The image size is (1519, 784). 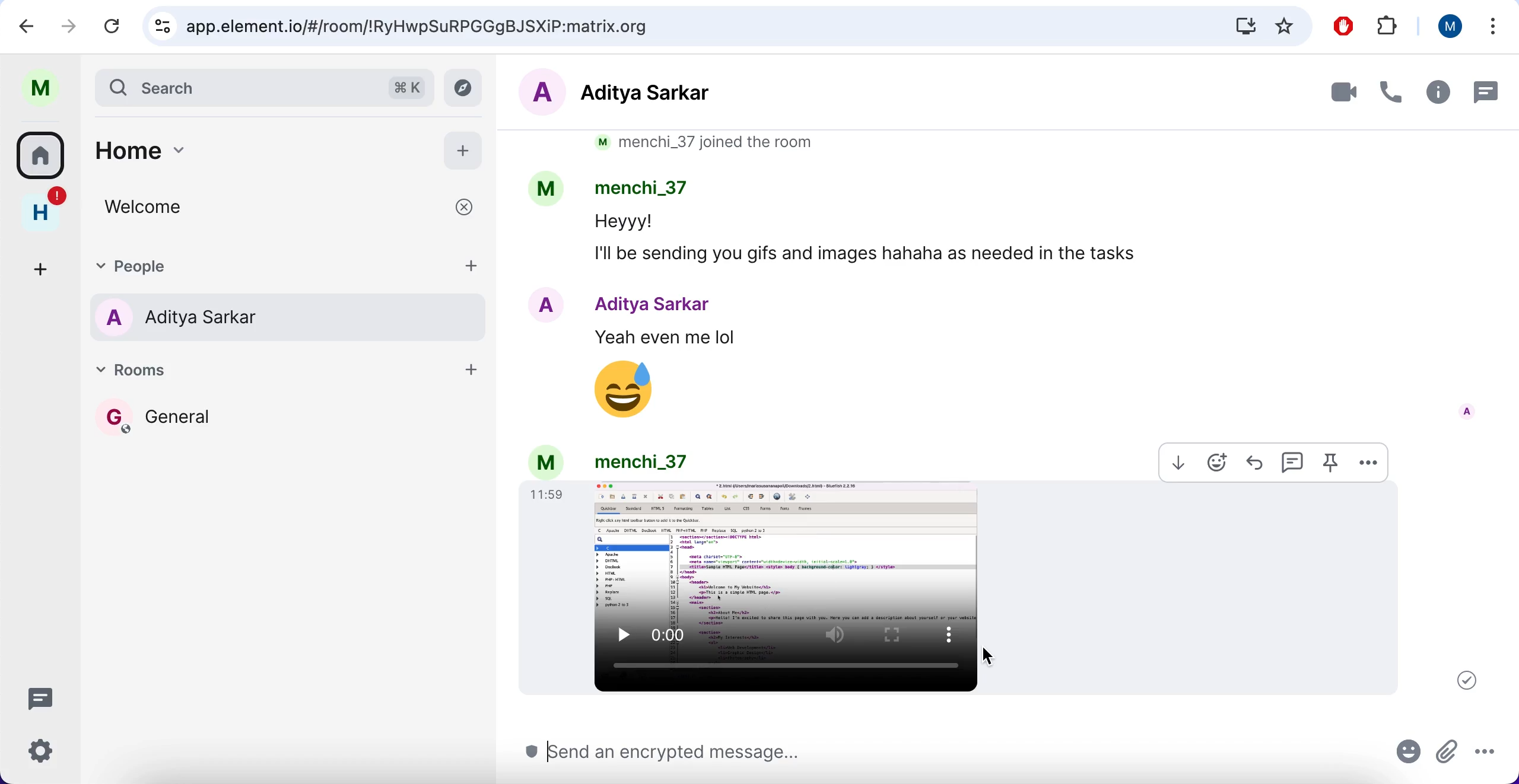 I want to click on add, so click(x=468, y=374).